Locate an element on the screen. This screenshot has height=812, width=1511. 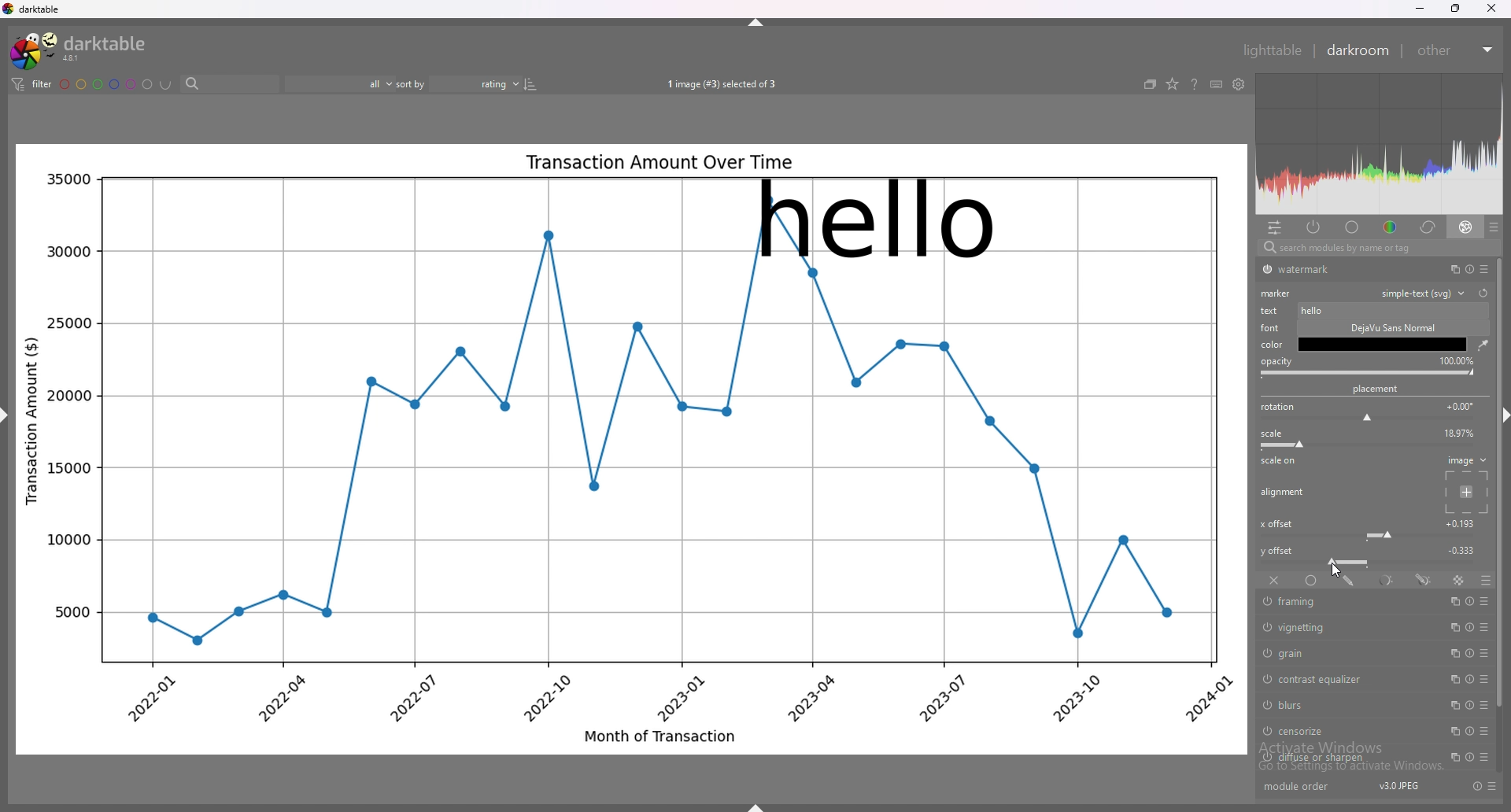
marker is located at coordinates (1276, 293).